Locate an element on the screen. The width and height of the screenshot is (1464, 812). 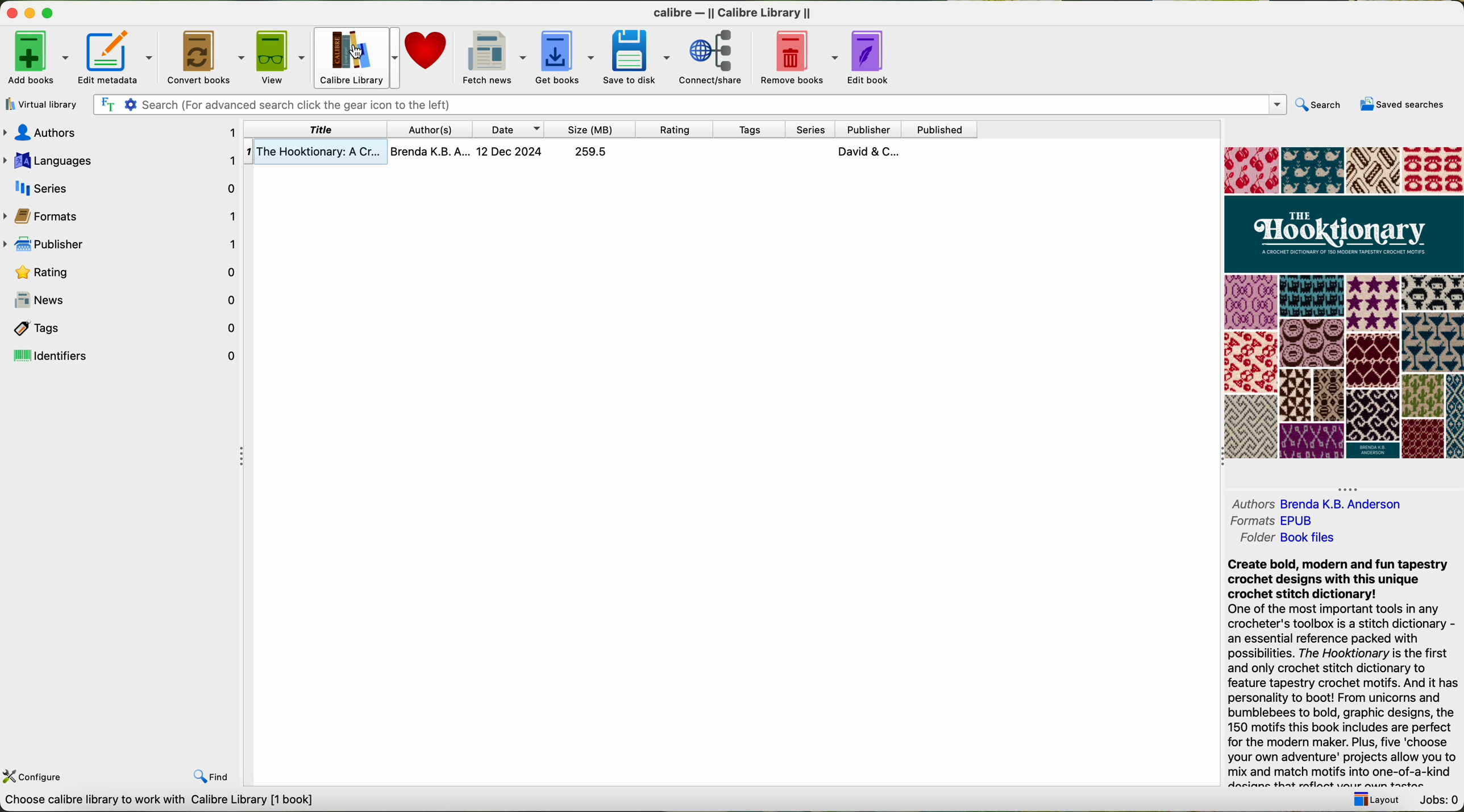
convert books is located at coordinates (204, 56).